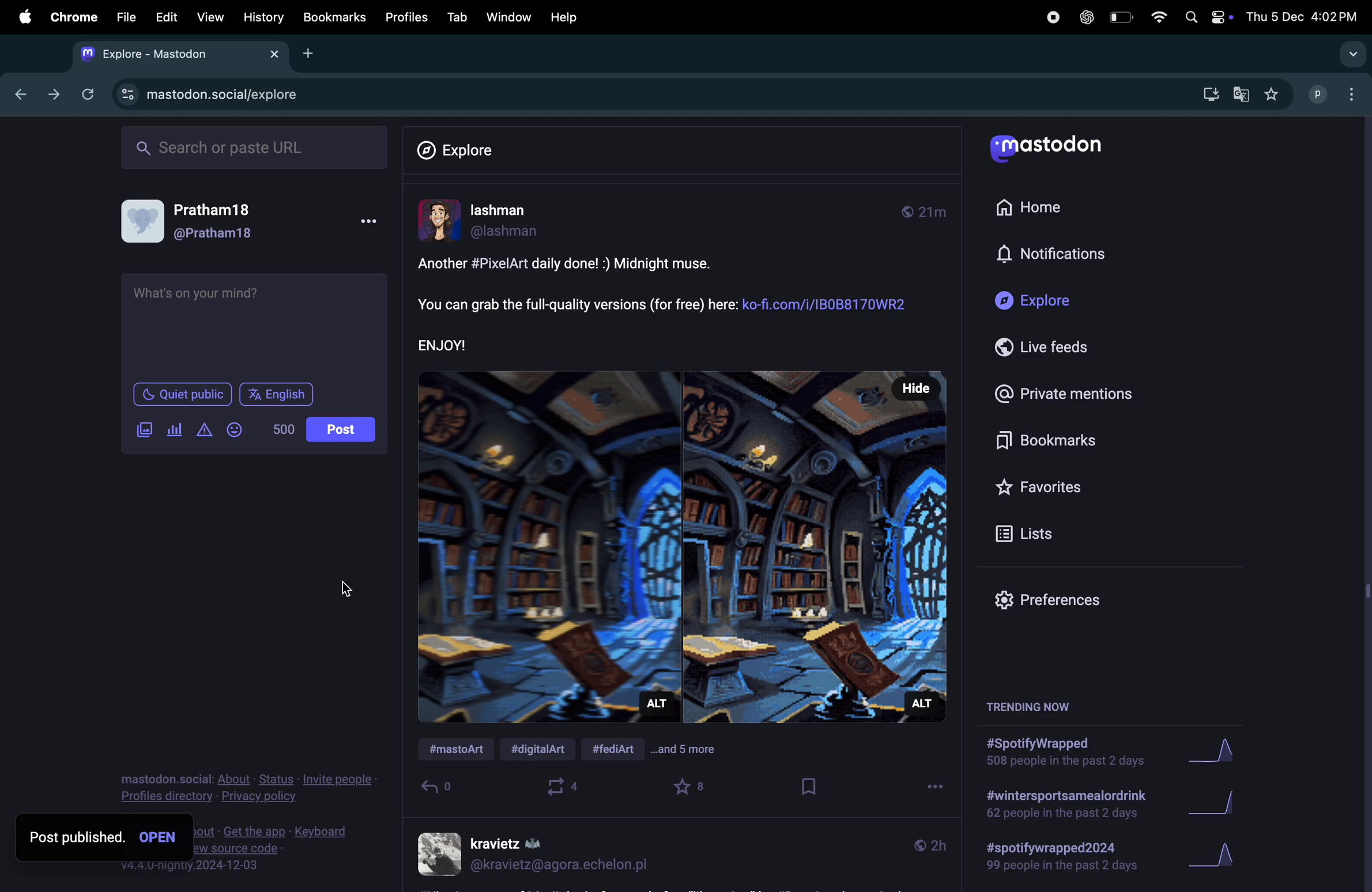  What do you see at coordinates (669, 304) in the screenshot?
I see `post description` at bounding box center [669, 304].